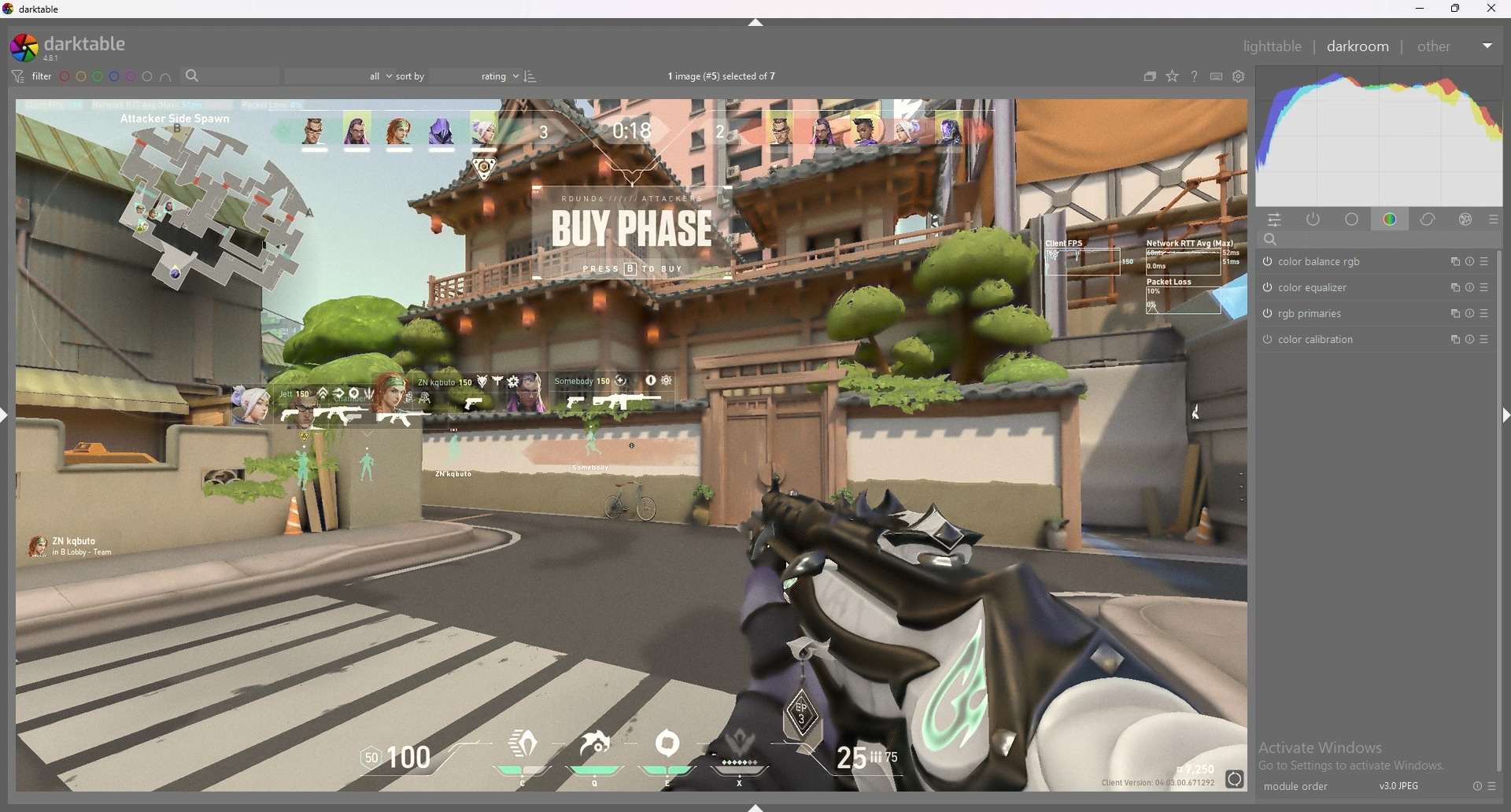 Image resolution: width=1511 pixels, height=812 pixels. I want to click on search module, so click(1383, 239).